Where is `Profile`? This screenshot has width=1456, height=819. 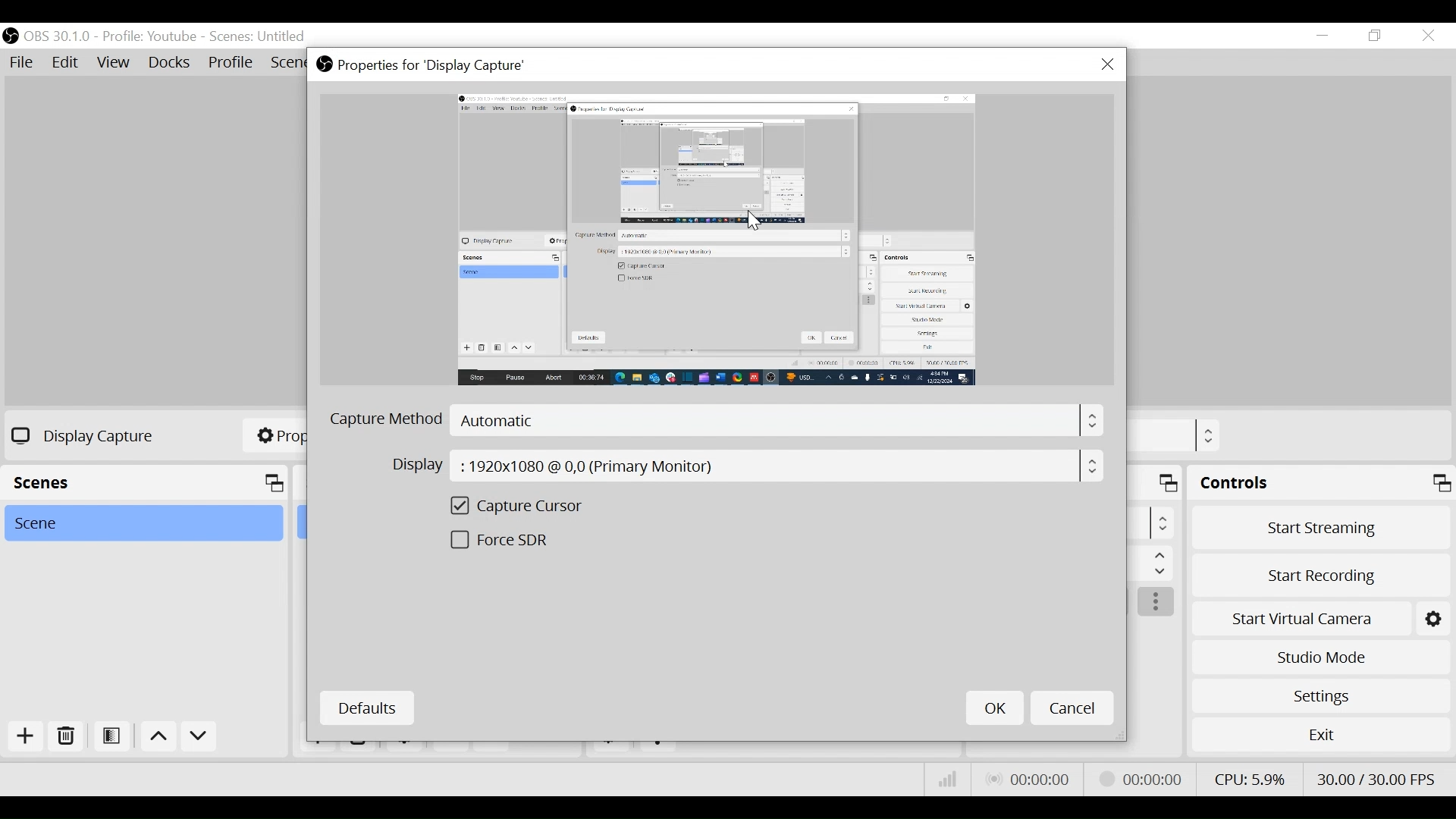
Profile is located at coordinates (231, 64).